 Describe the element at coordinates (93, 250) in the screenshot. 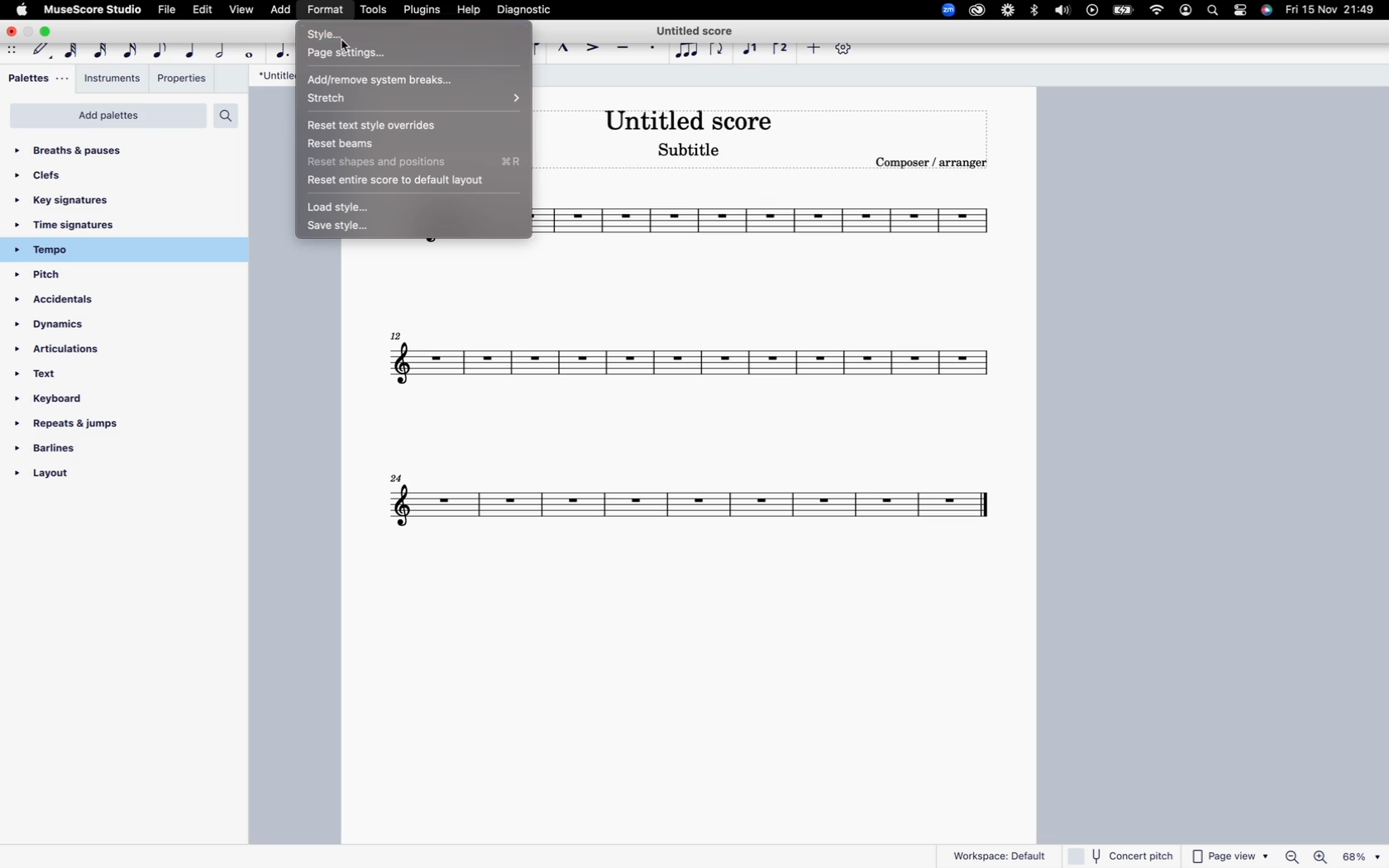

I see `tempo` at that location.